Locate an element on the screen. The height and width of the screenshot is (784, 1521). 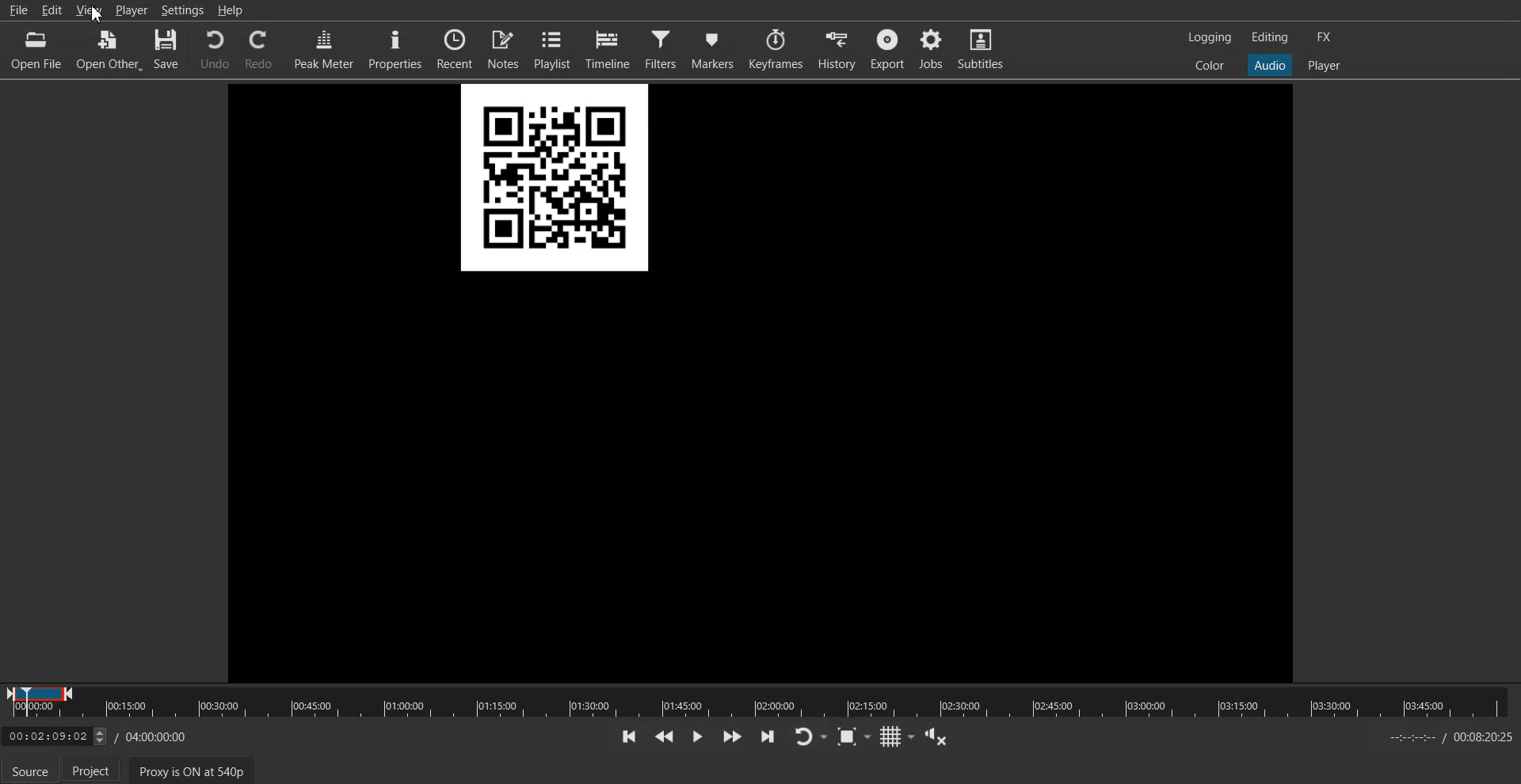
Play Quickly backwards is located at coordinates (665, 736).